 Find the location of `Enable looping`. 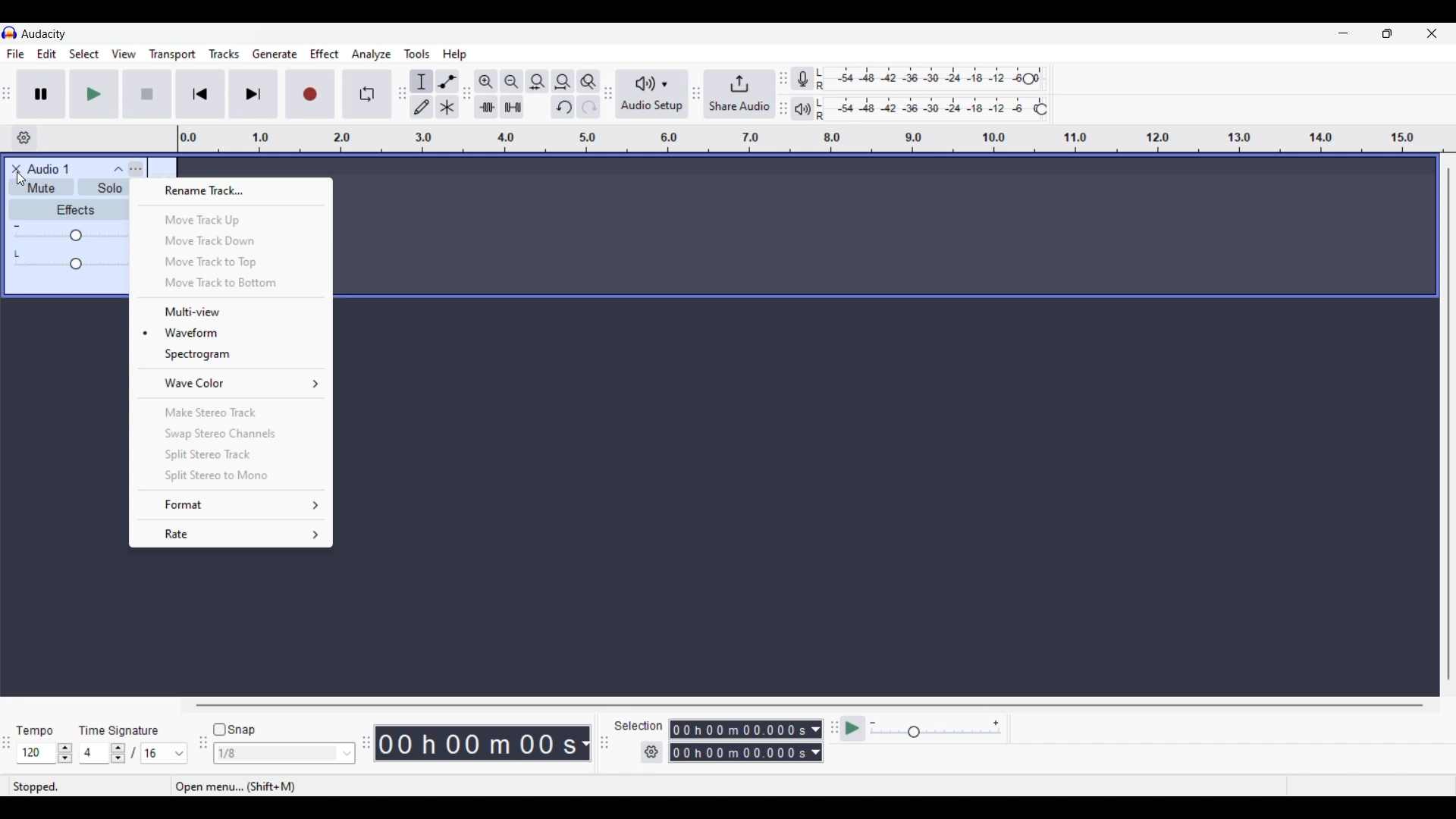

Enable looping is located at coordinates (368, 94).